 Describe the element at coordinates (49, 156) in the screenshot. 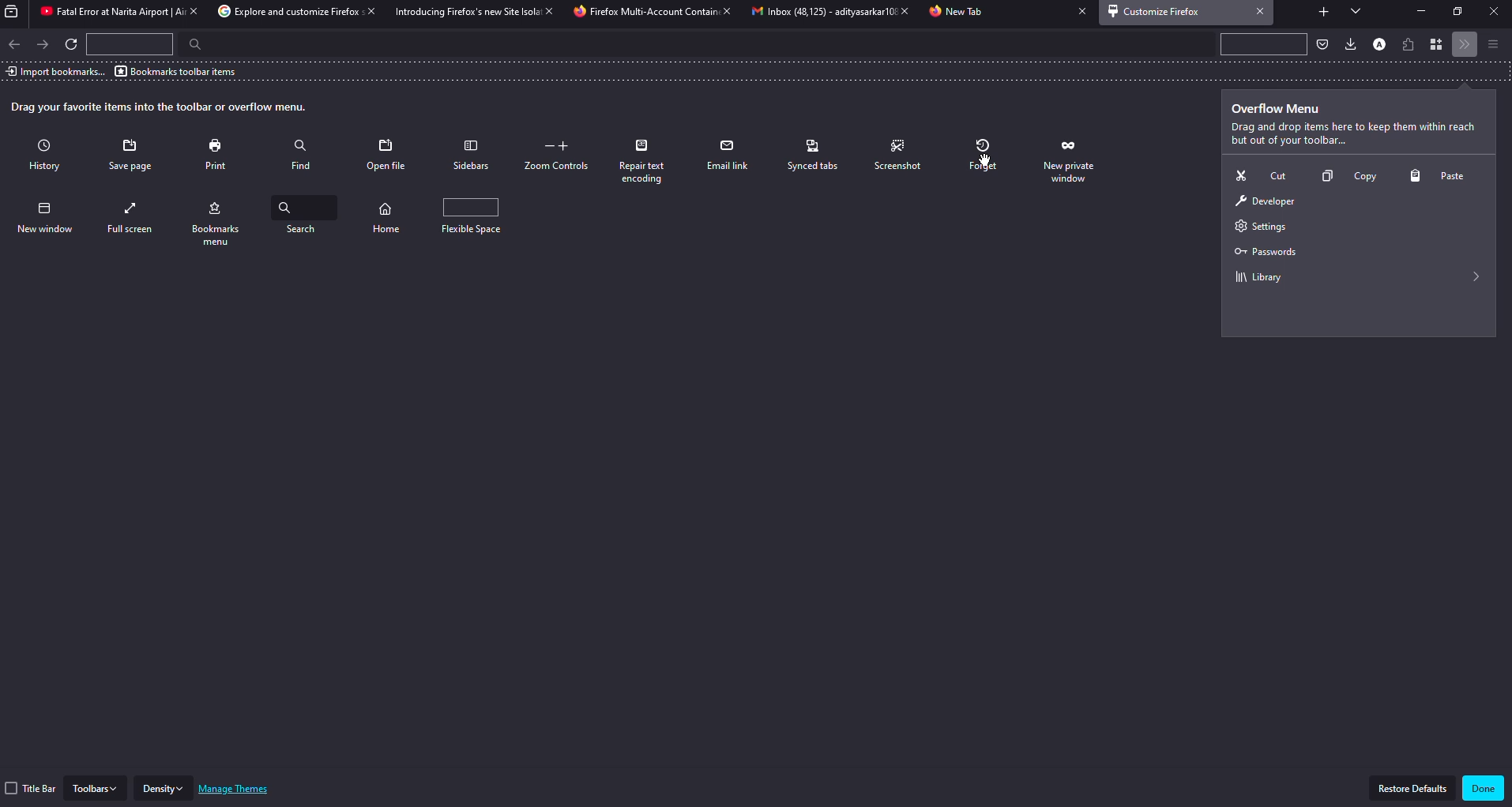

I see `history` at that location.